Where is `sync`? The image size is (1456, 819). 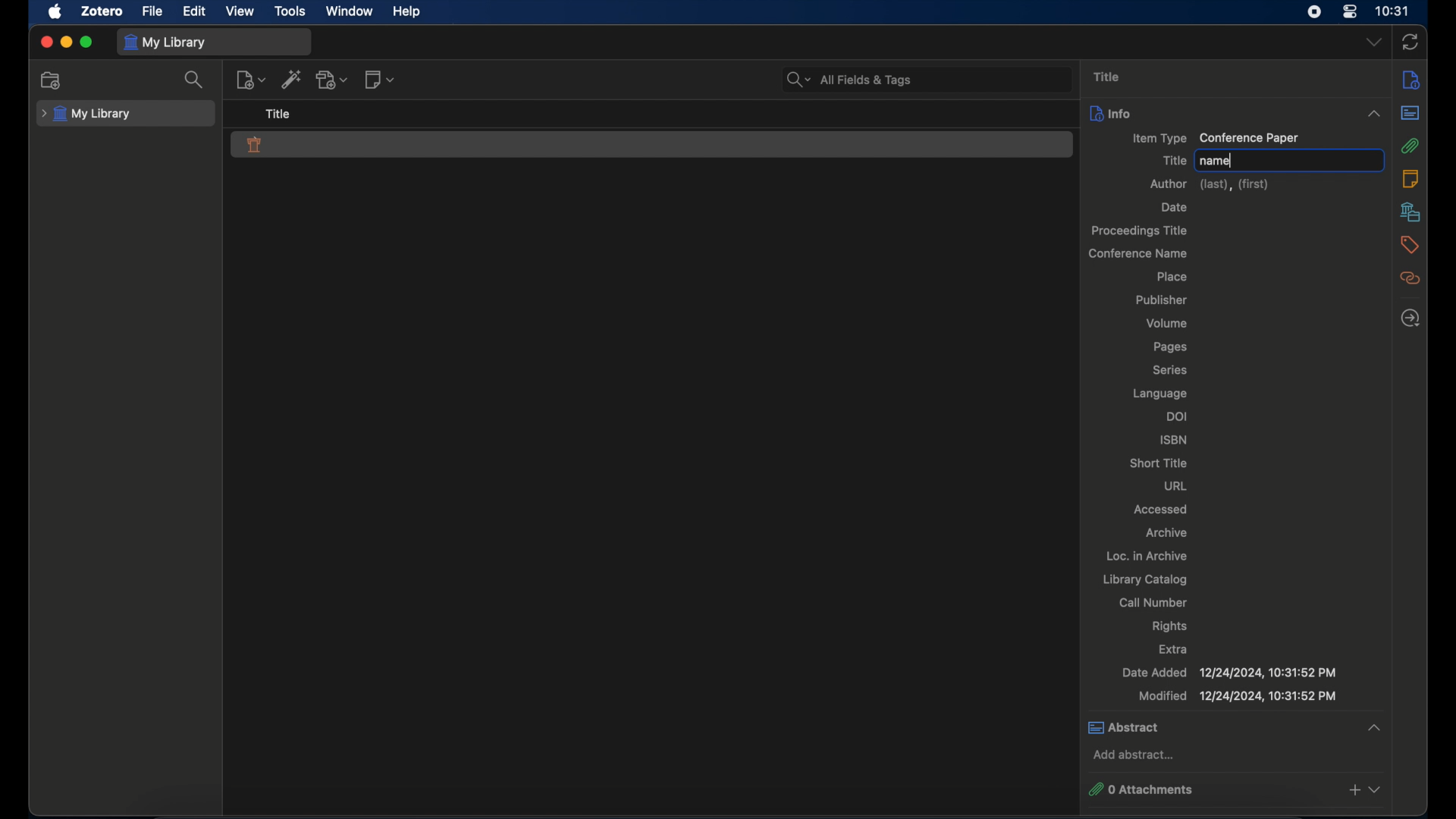 sync is located at coordinates (1410, 42).